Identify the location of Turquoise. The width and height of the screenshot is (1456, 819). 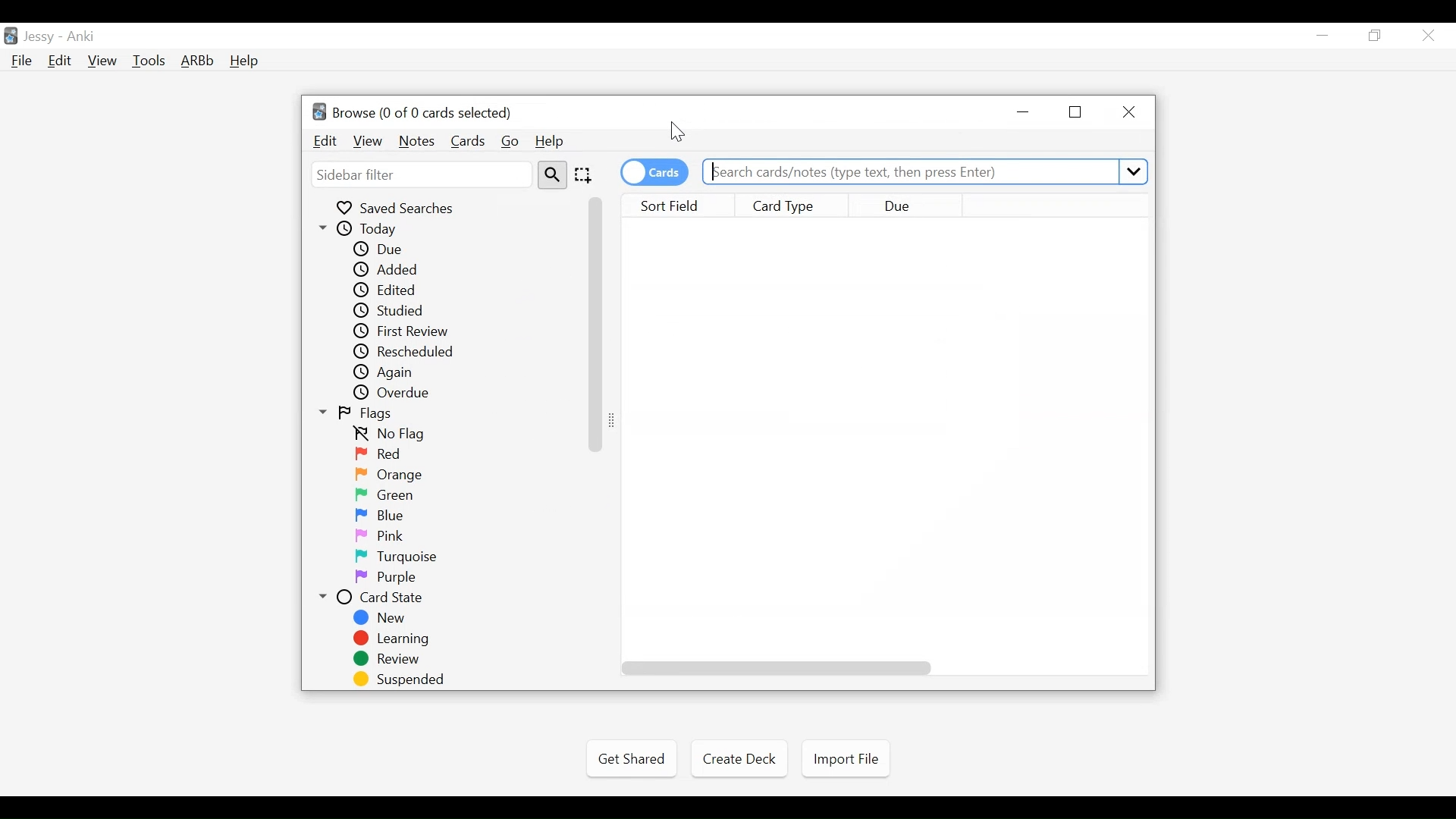
(393, 557).